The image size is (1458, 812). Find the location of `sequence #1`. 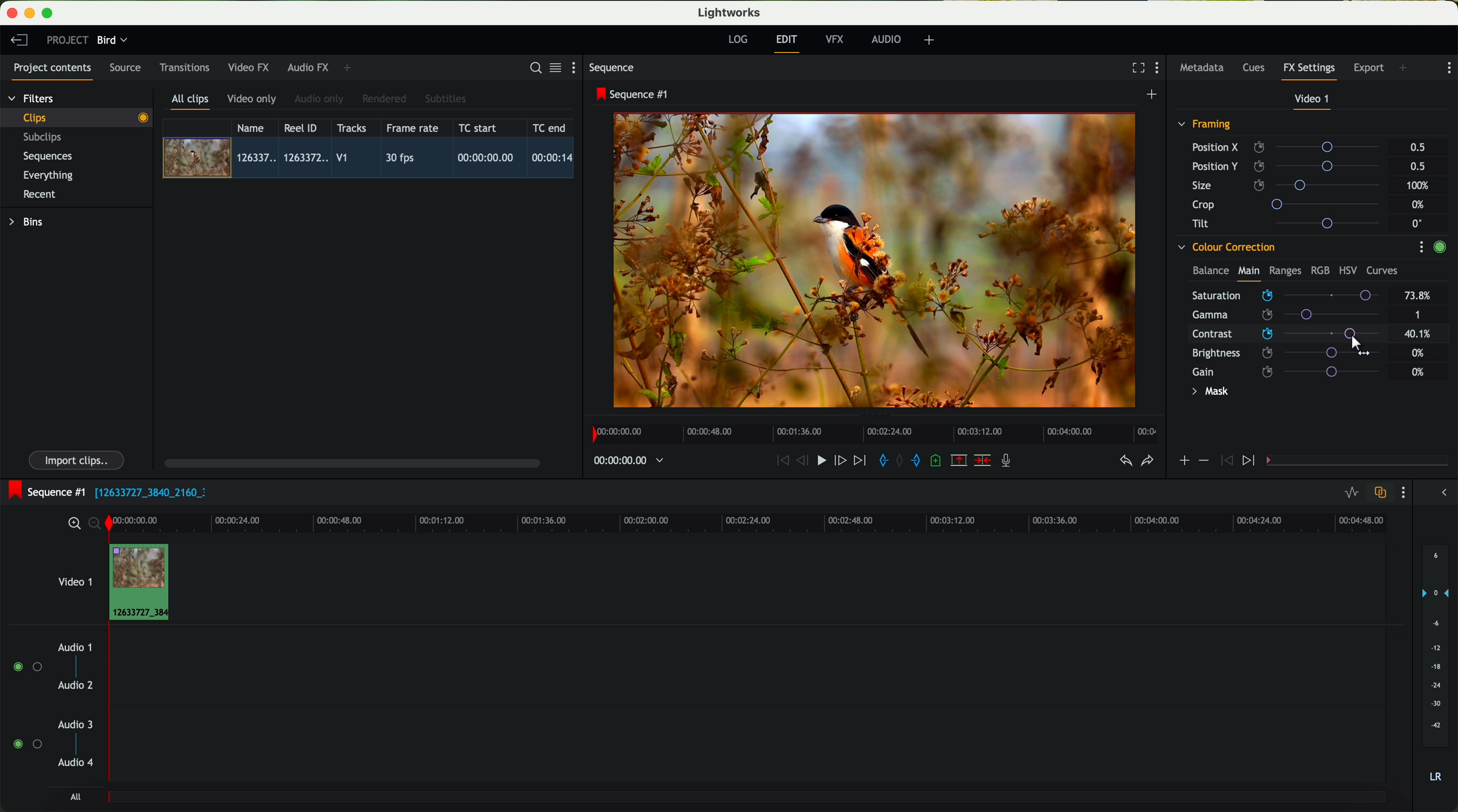

sequence #1 is located at coordinates (633, 94).